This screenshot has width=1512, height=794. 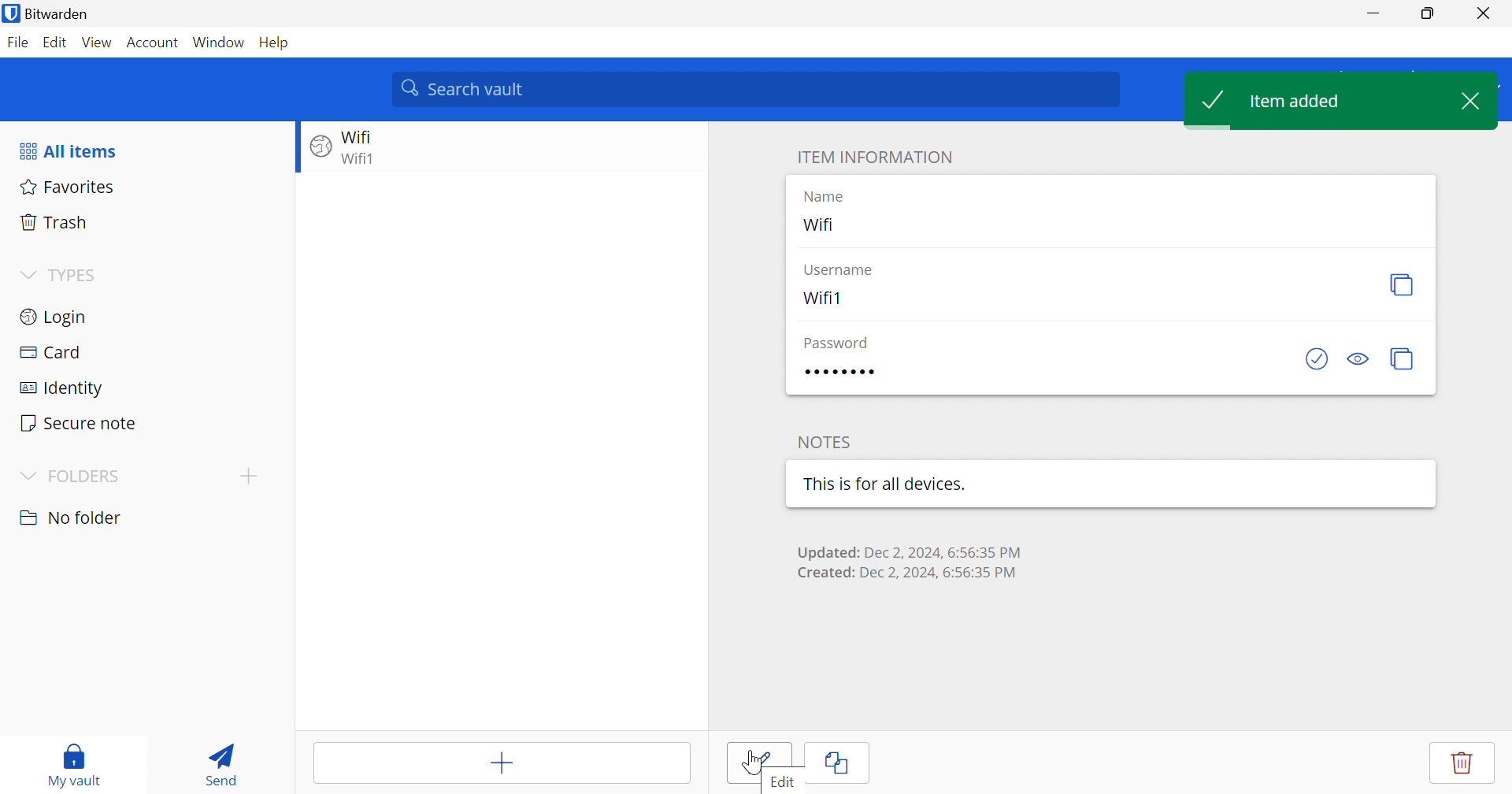 I want to click on Secure note, so click(x=77, y=425).